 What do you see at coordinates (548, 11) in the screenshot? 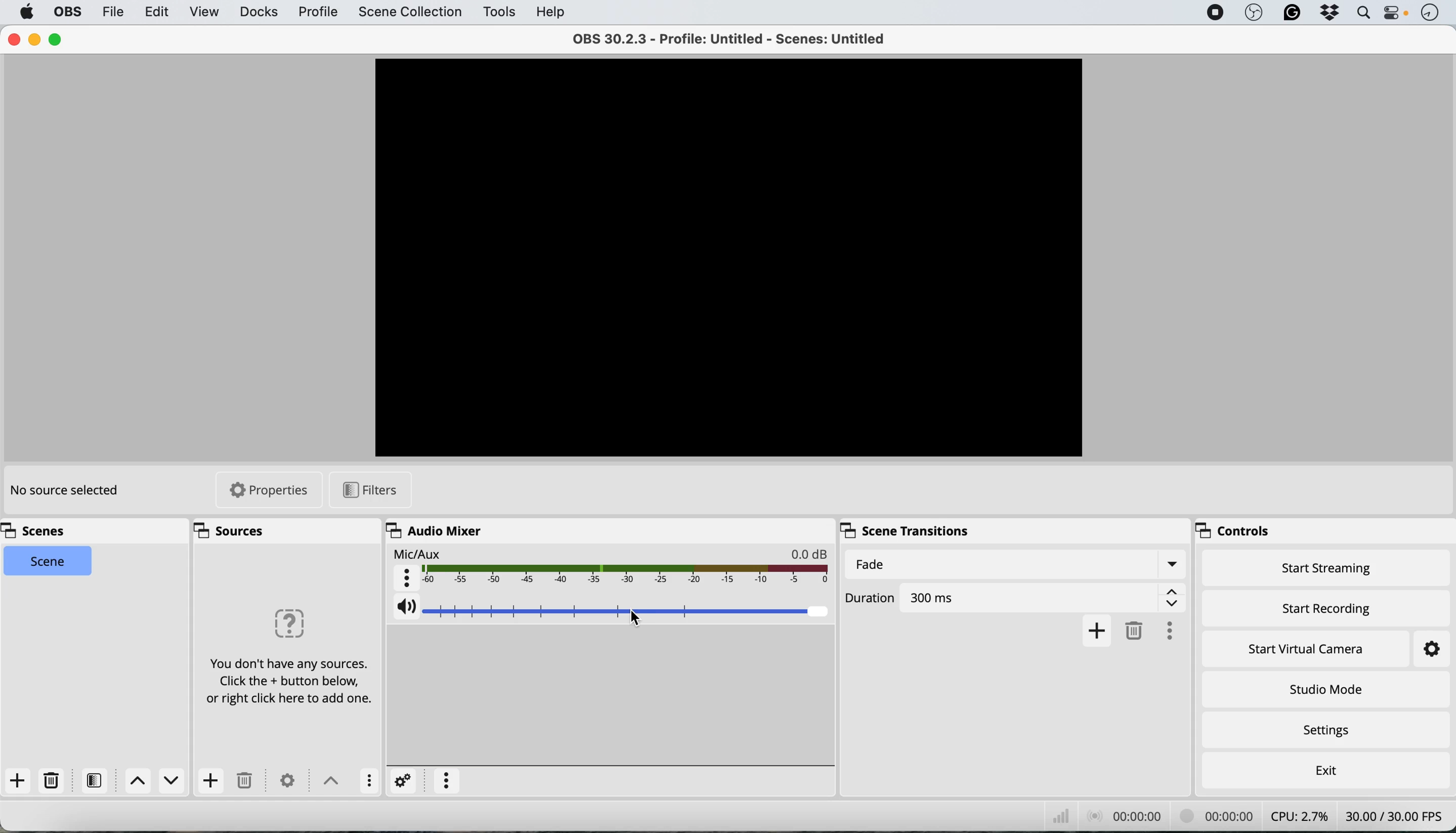
I see `help` at bounding box center [548, 11].